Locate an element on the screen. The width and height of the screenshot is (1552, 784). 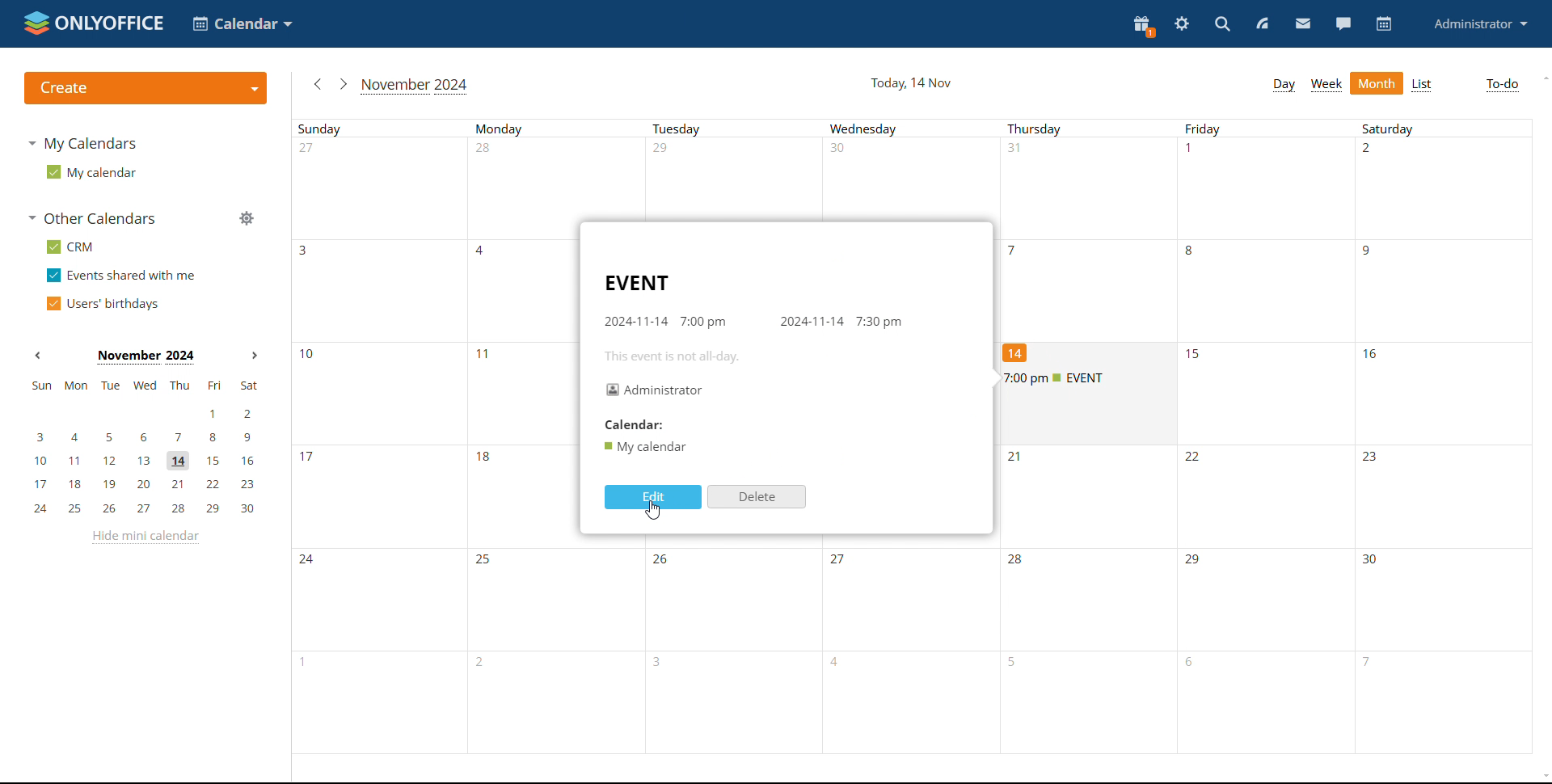
upcoming event is located at coordinates (1086, 377).